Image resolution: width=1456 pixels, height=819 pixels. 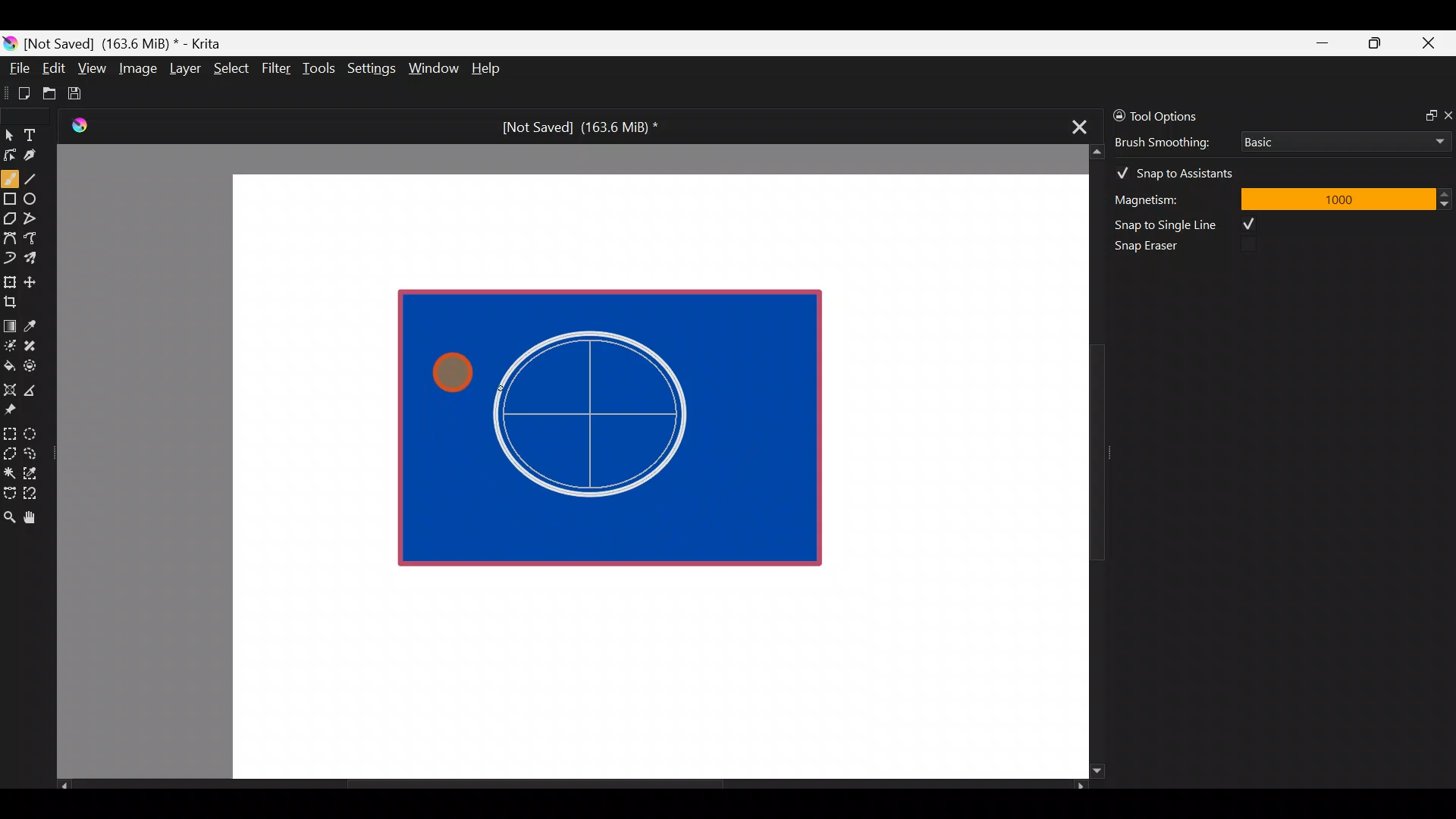 What do you see at coordinates (1374, 42) in the screenshot?
I see `Maximize` at bounding box center [1374, 42].